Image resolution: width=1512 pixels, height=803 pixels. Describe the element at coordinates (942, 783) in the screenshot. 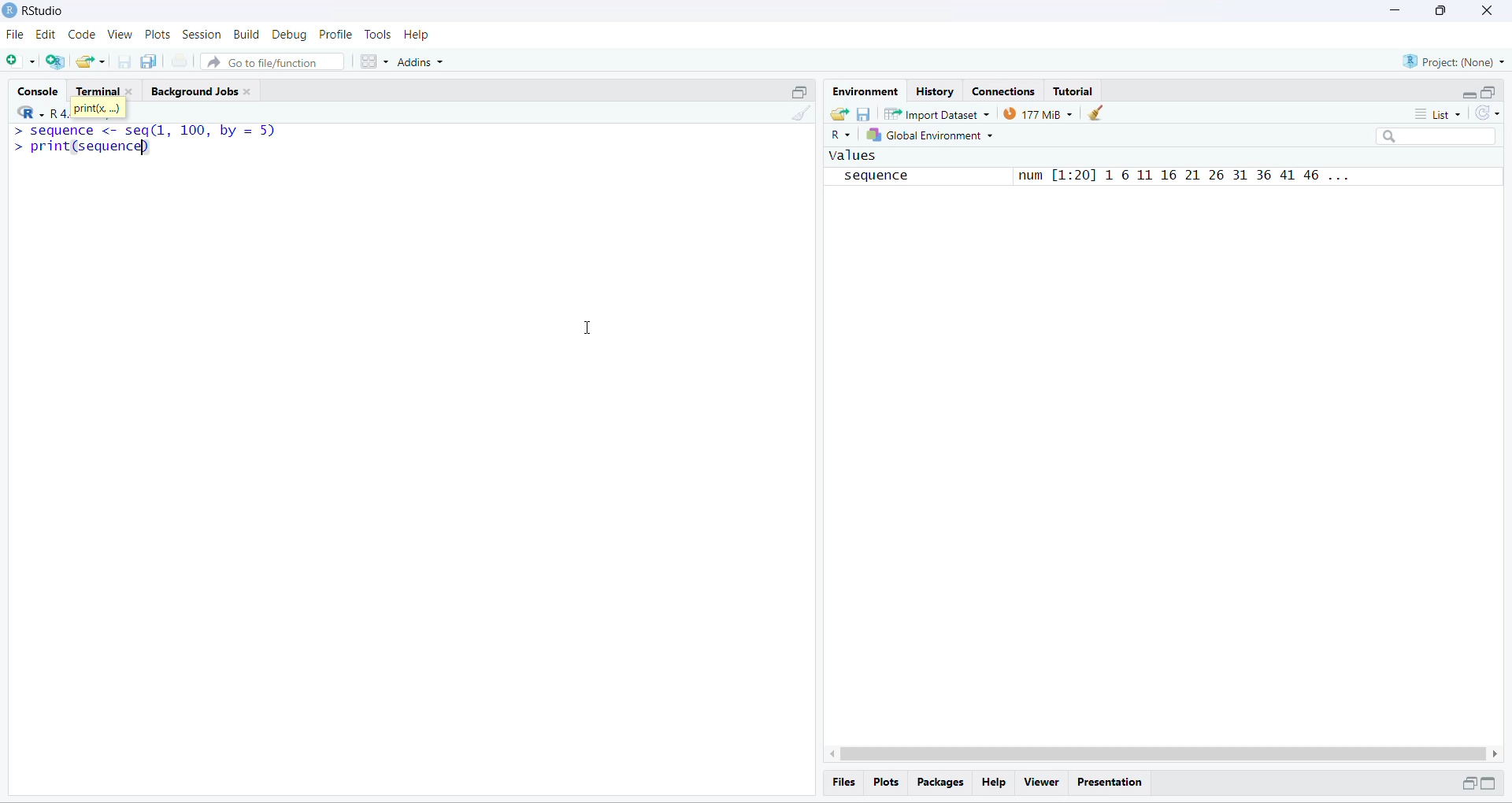

I see `packages` at that location.